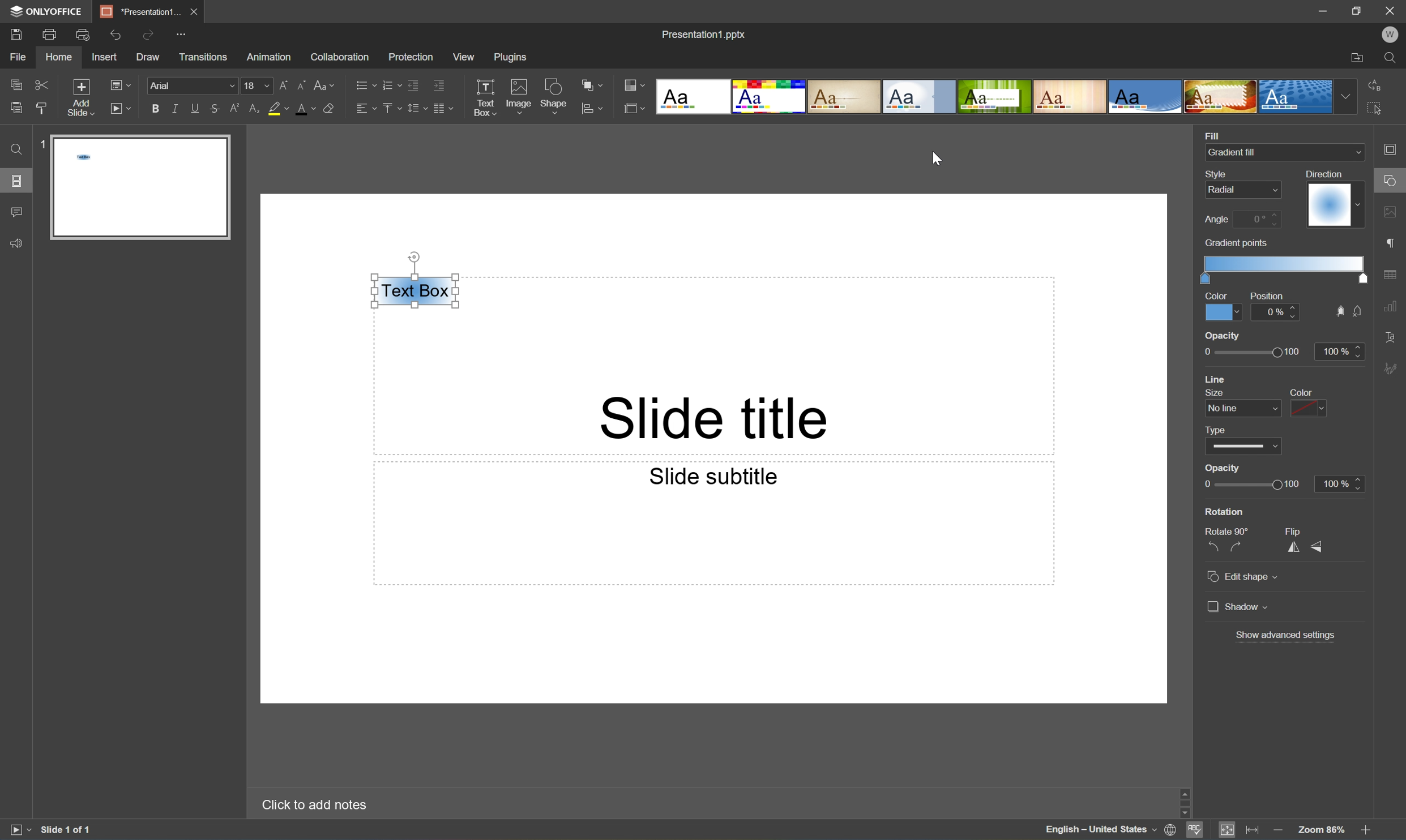 This screenshot has height=840, width=1406. What do you see at coordinates (324, 84) in the screenshot?
I see `Change case` at bounding box center [324, 84].